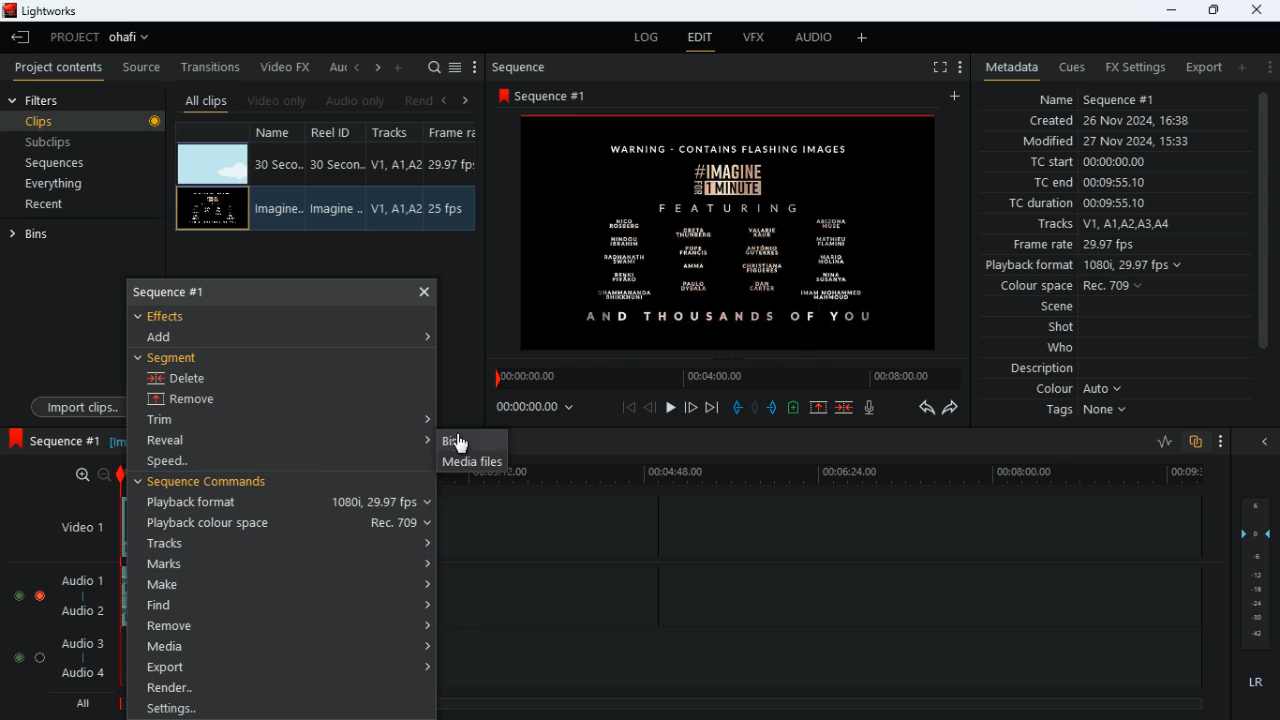 The image size is (1280, 720). What do you see at coordinates (432, 337) in the screenshot?
I see `Accordion` at bounding box center [432, 337].